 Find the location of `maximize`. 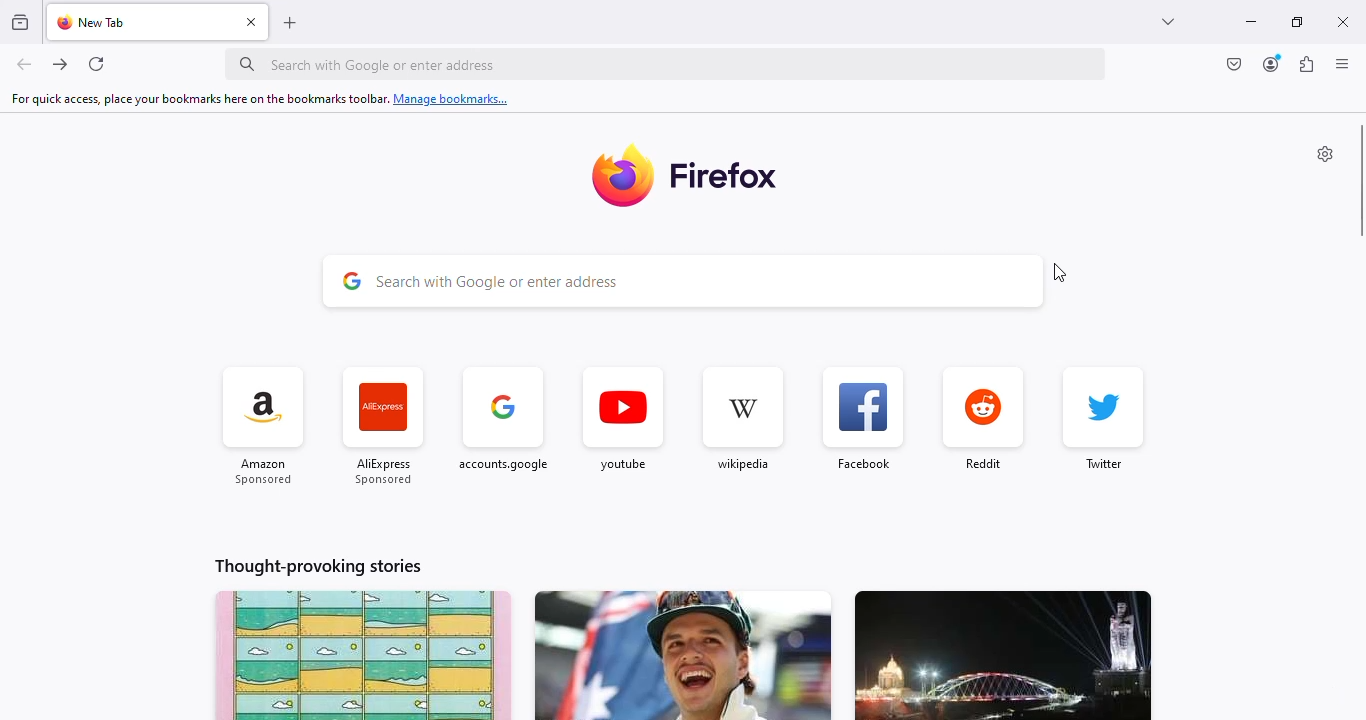

maximize is located at coordinates (1298, 22).